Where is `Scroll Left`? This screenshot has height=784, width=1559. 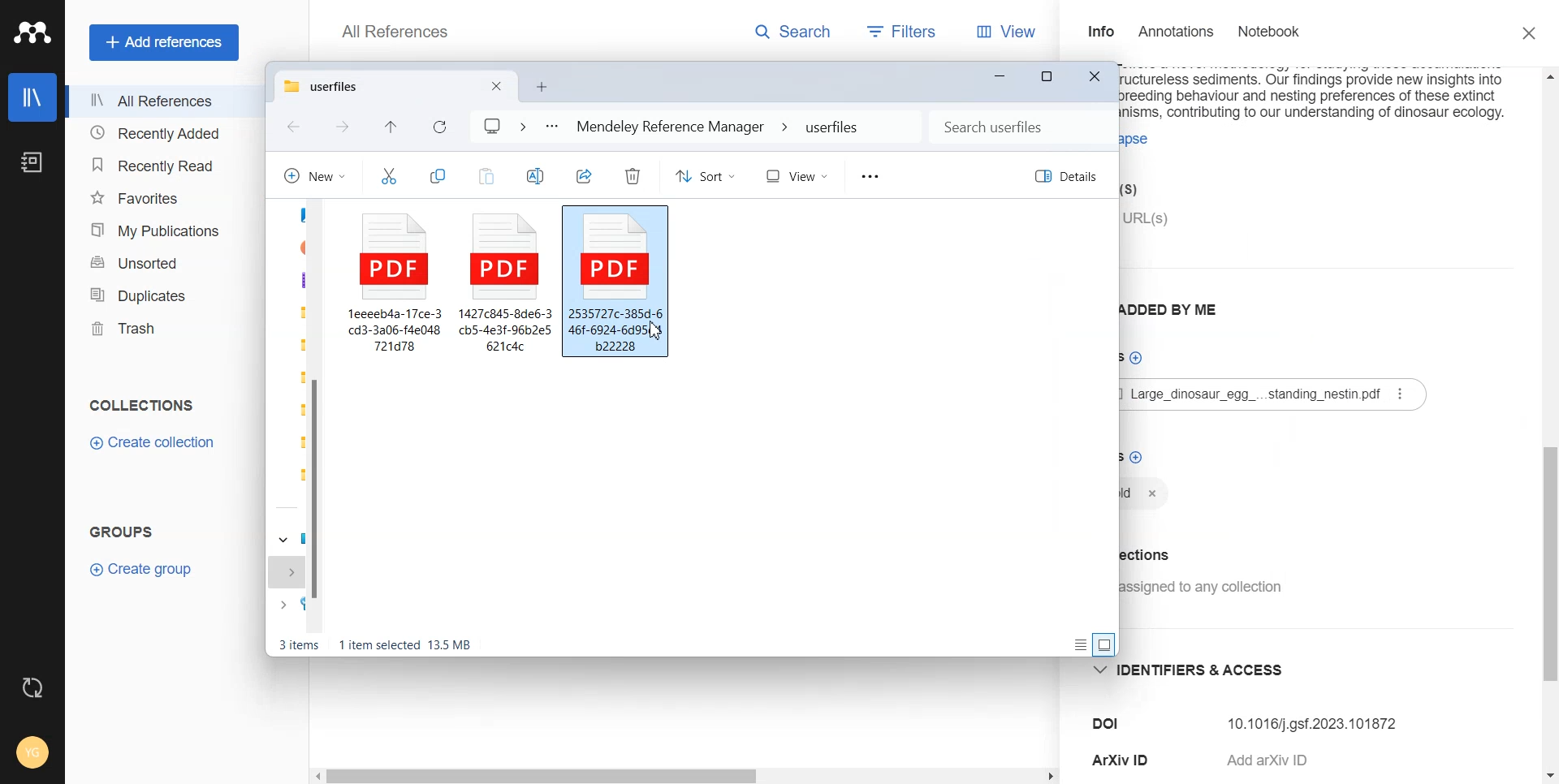 Scroll Left is located at coordinates (315, 776).